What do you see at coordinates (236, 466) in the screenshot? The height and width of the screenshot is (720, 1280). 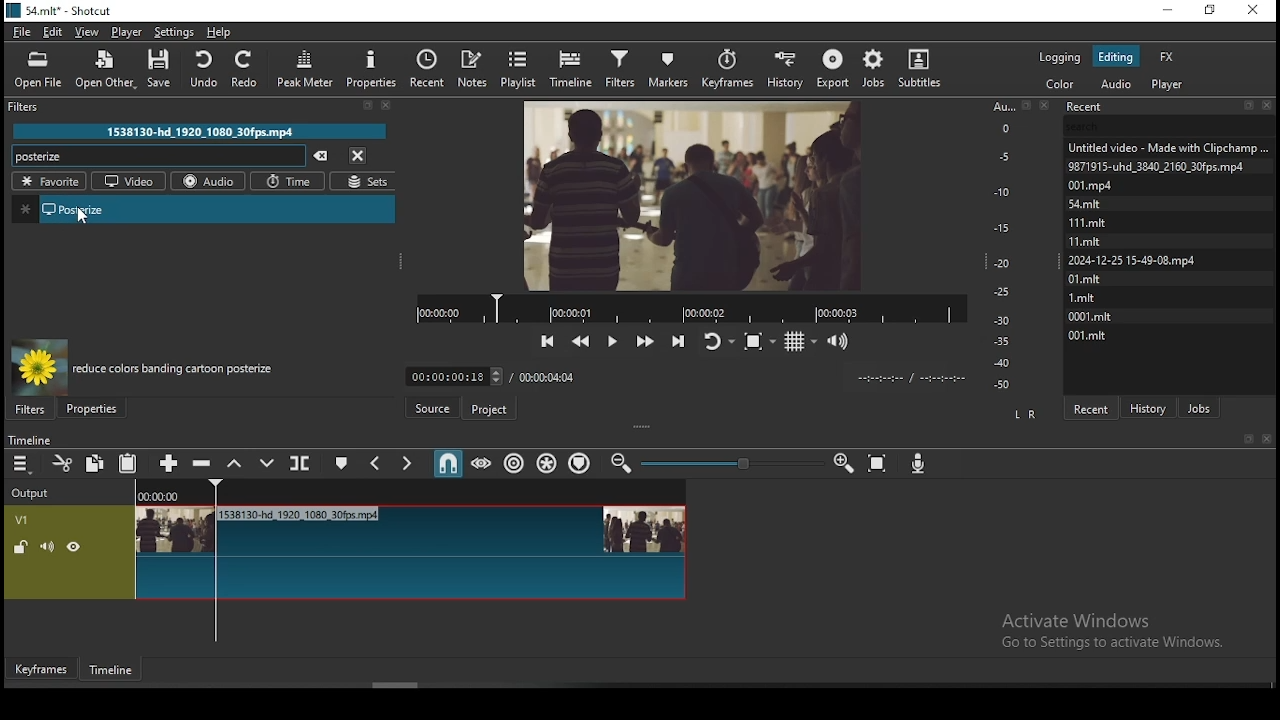 I see `lift` at bounding box center [236, 466].